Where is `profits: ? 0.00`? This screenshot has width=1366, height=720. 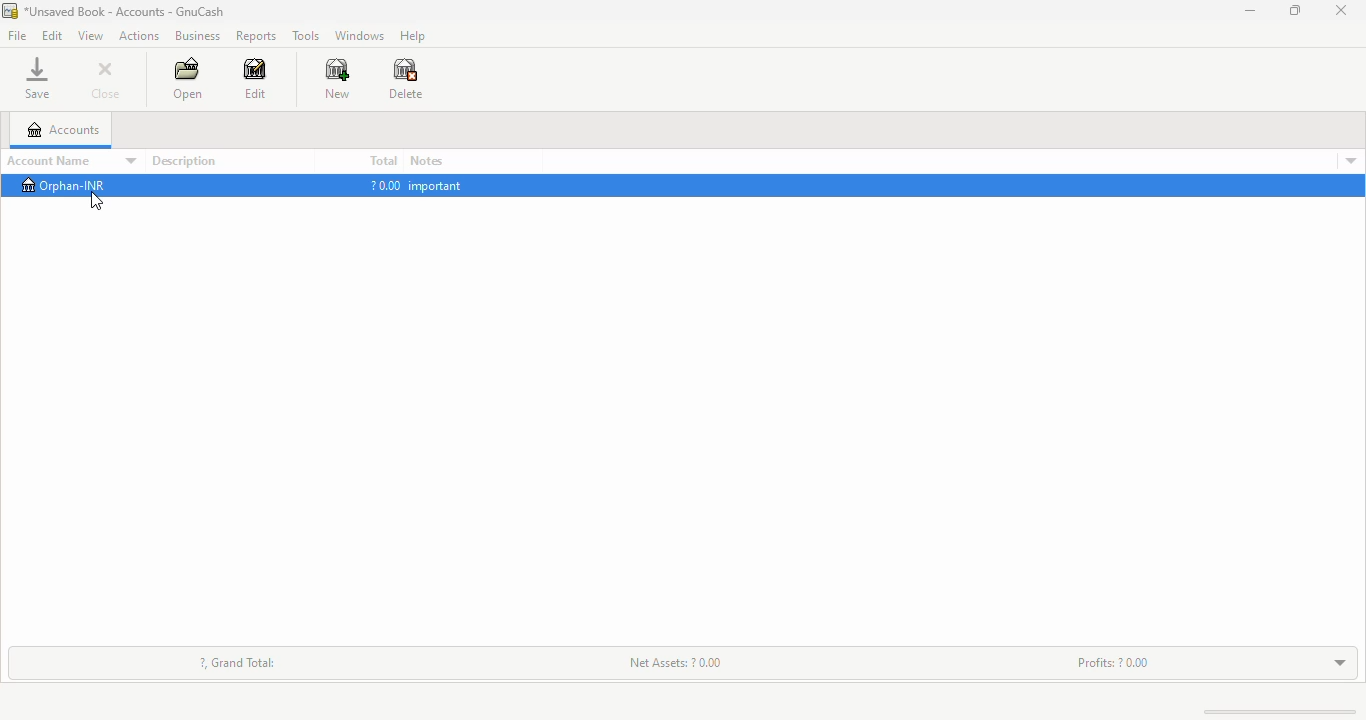
profits: ? 0.00 is located at coordinates (1114, 661).